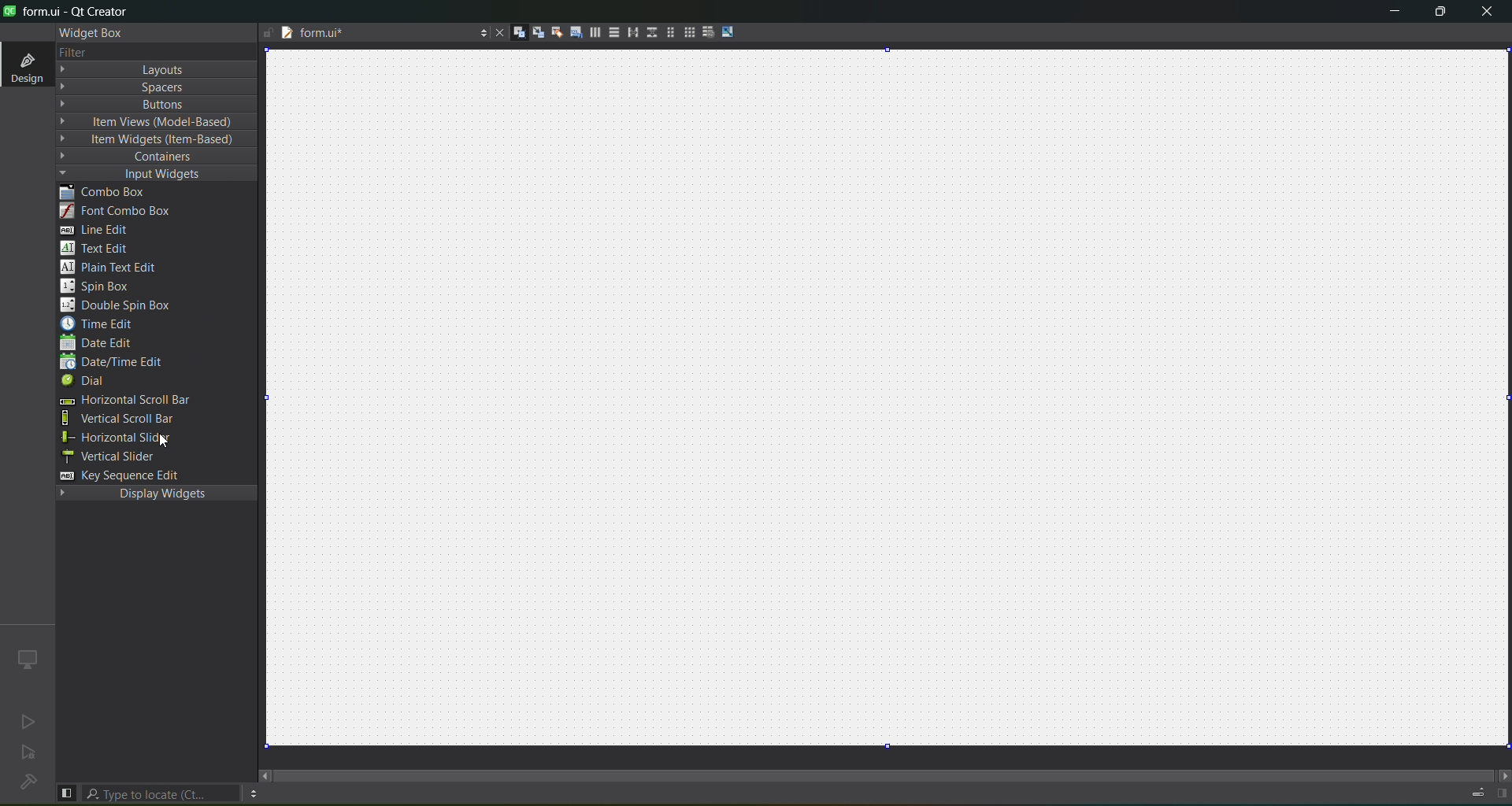 This screenshot has height=806, width=1512. I want to click on widgets, so click(512, 33).